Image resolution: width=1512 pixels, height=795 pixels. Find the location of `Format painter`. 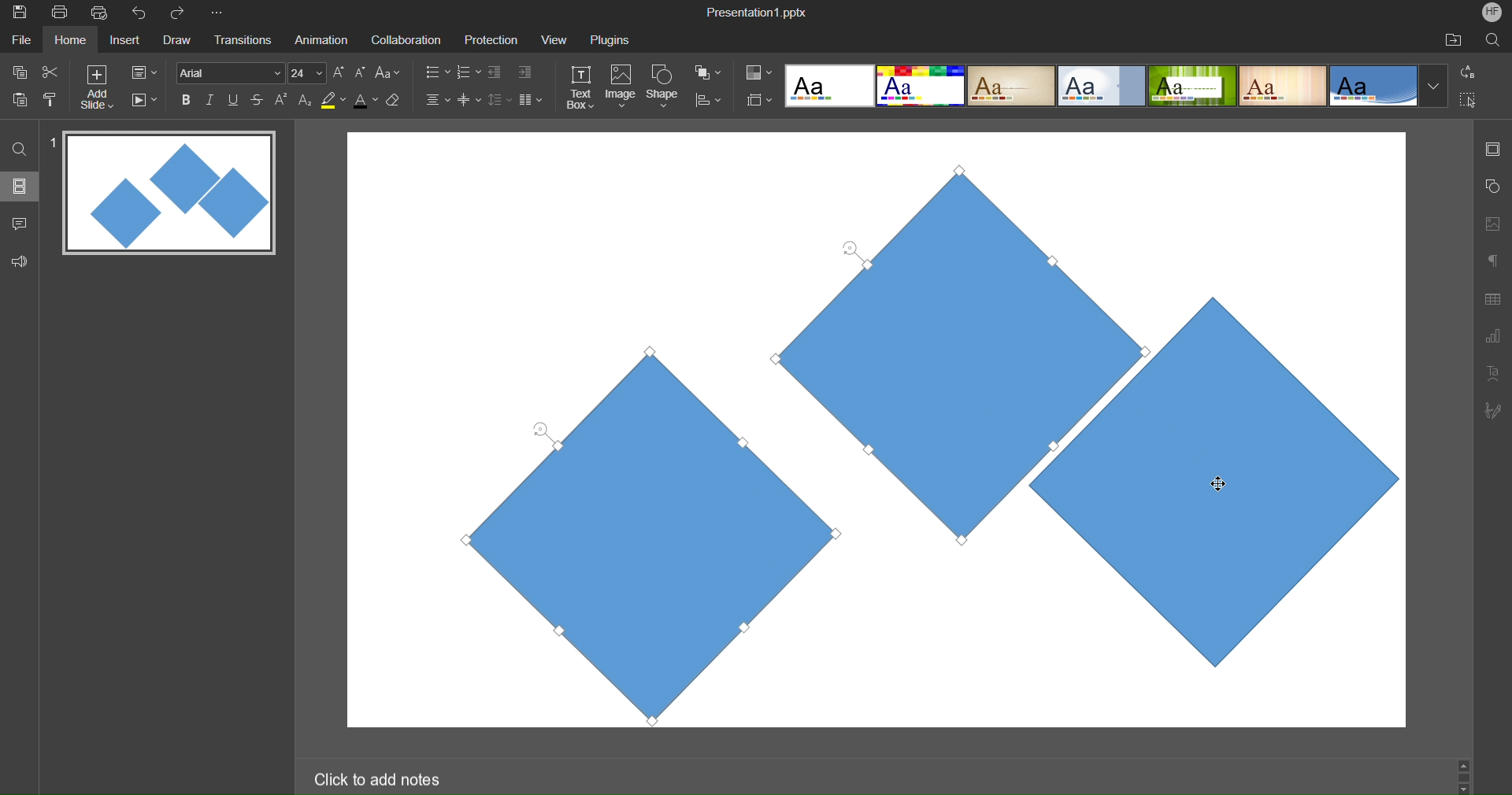

Format painter is located at coordinates (53, 99).